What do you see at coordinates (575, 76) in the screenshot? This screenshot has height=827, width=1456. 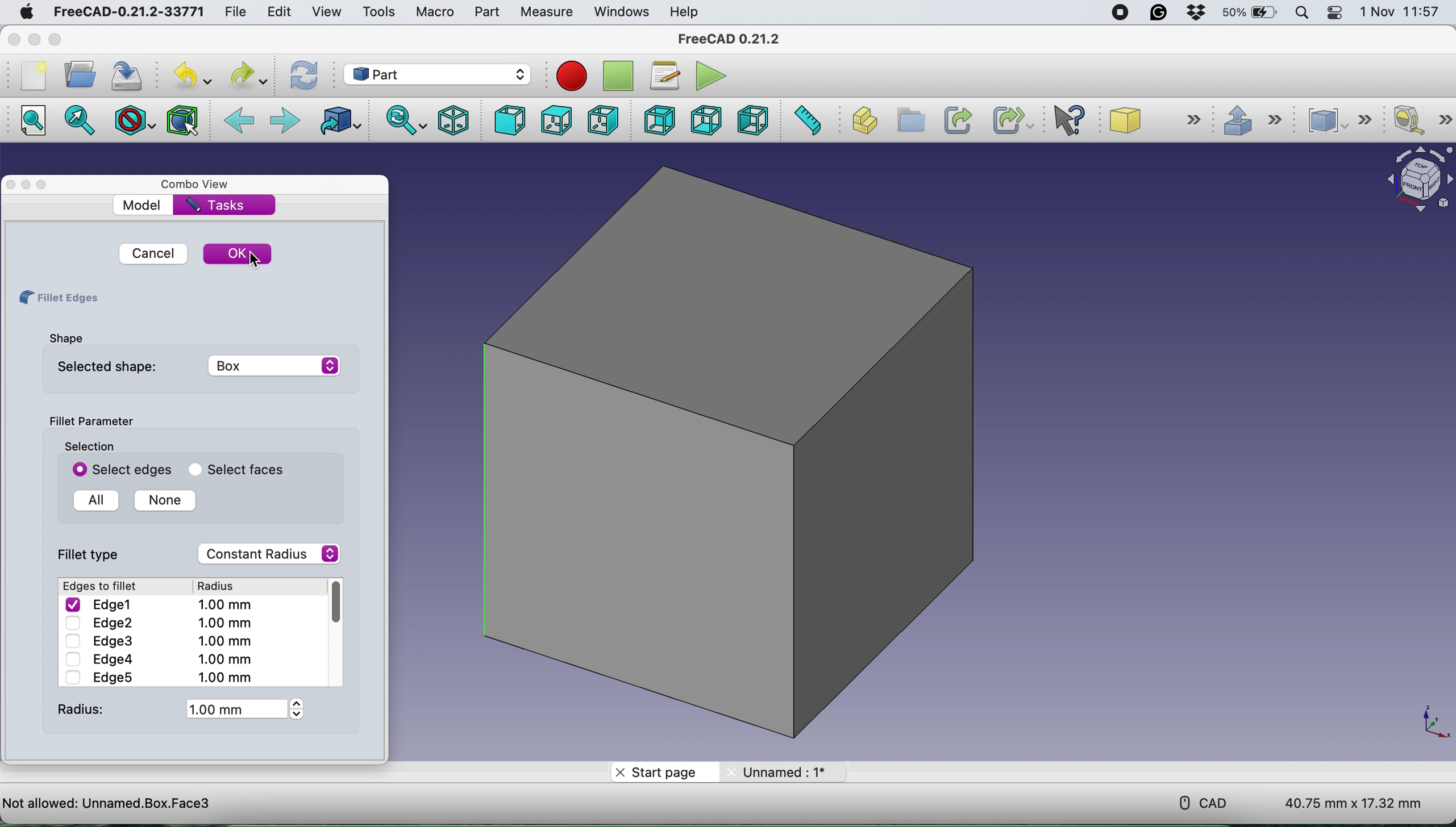 I see `record macros` at bounding box center [575, 76].